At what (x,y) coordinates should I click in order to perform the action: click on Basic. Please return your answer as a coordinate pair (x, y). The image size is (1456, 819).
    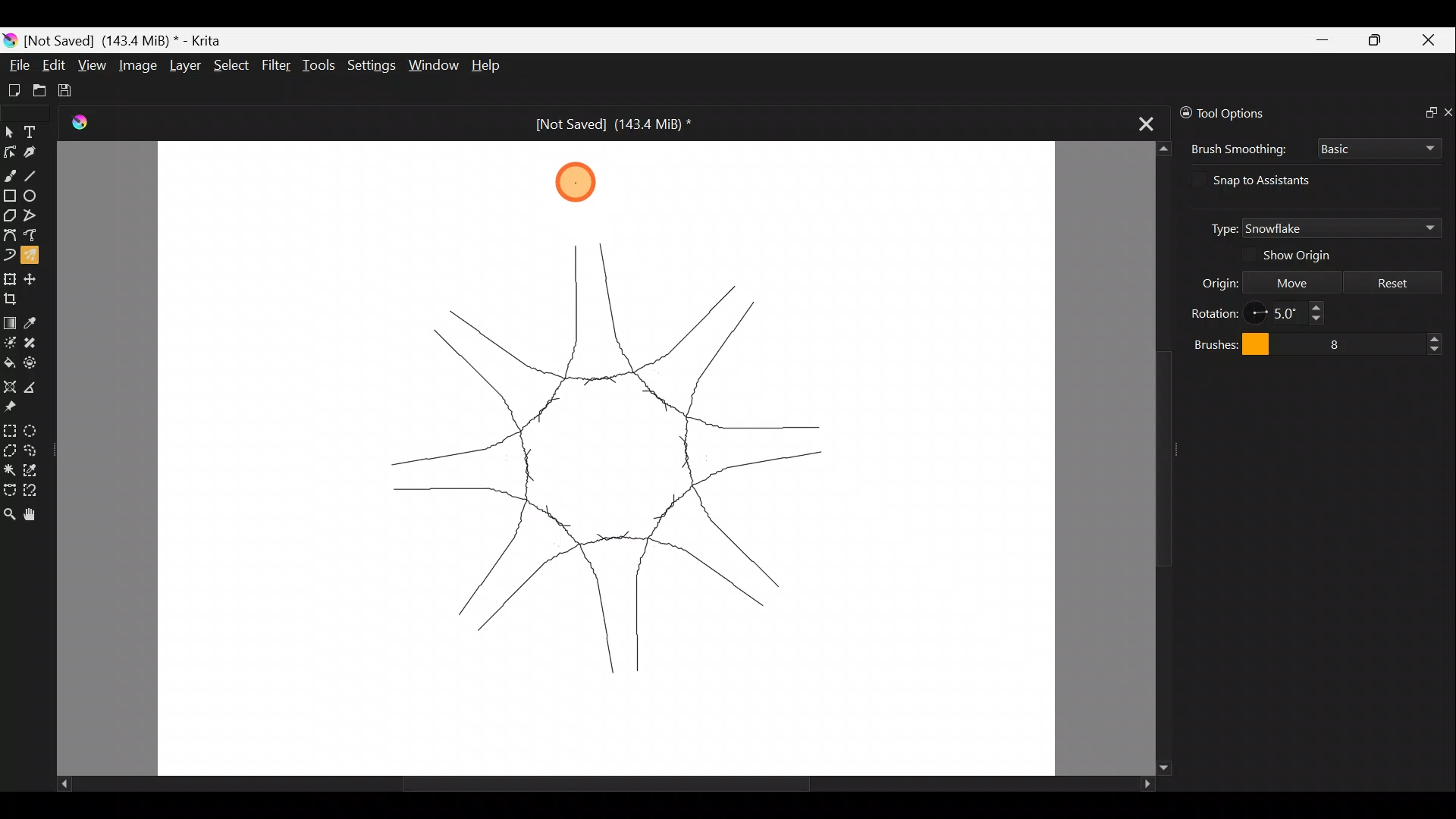
    Looking at the image, I should click on (1379, 149).